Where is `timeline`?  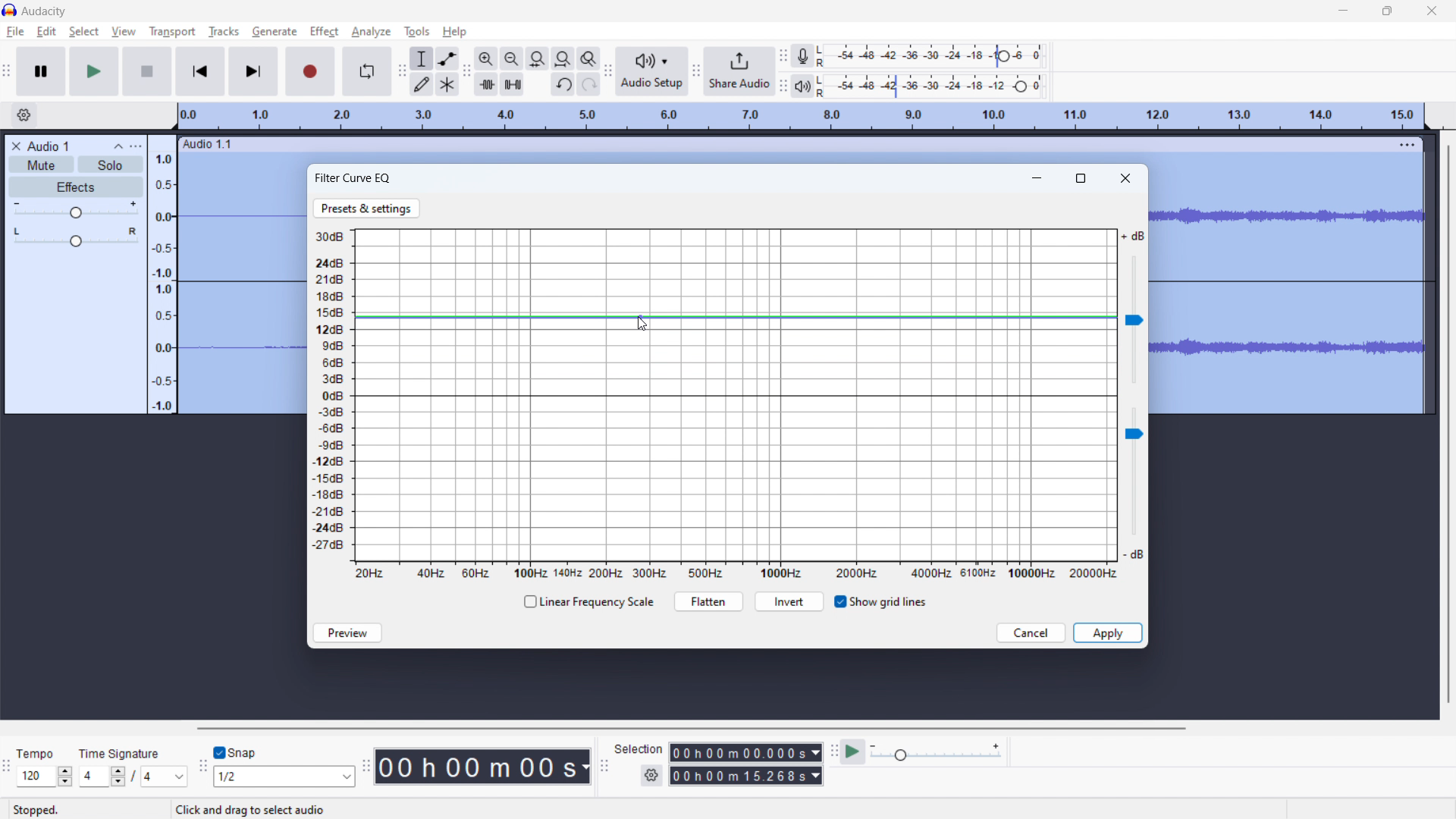
timeline is located at coordinates (803, 117).